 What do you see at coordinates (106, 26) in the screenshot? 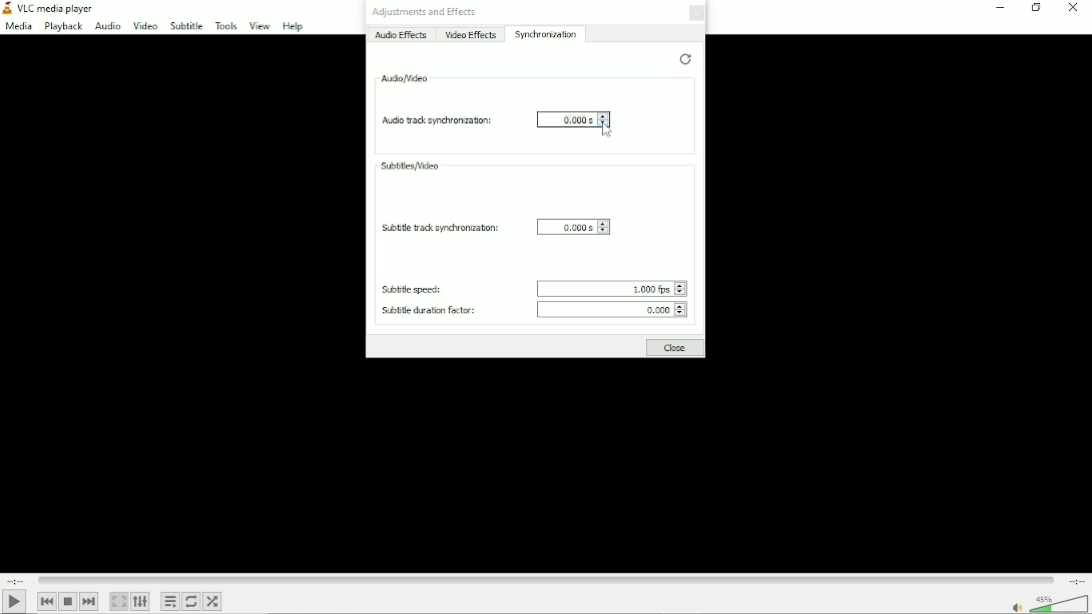
I see `Audio` at bounding box center [106, 26].